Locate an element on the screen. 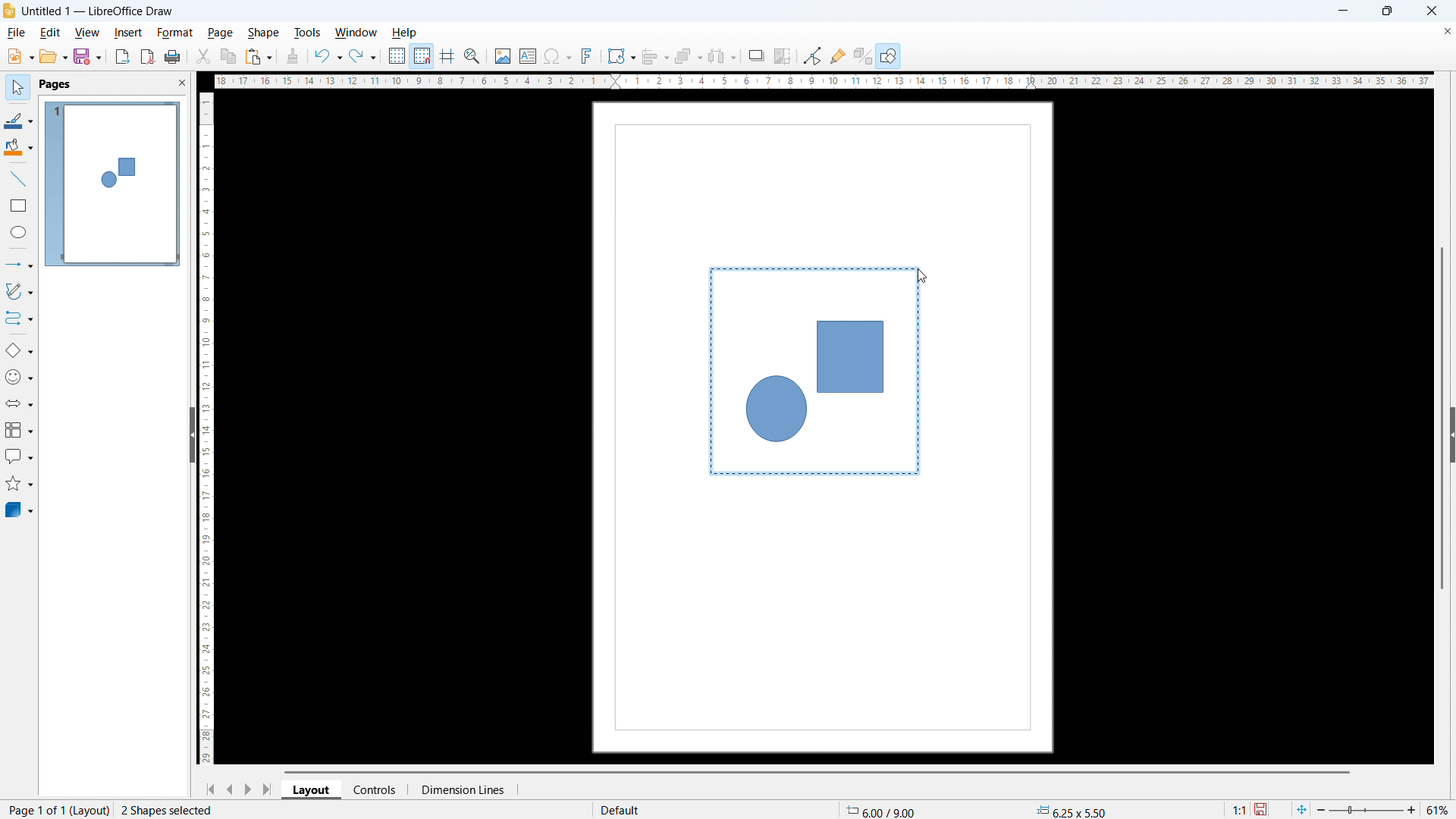 The image size is (1456, 819). elipse is located at coordinates (20, 231).